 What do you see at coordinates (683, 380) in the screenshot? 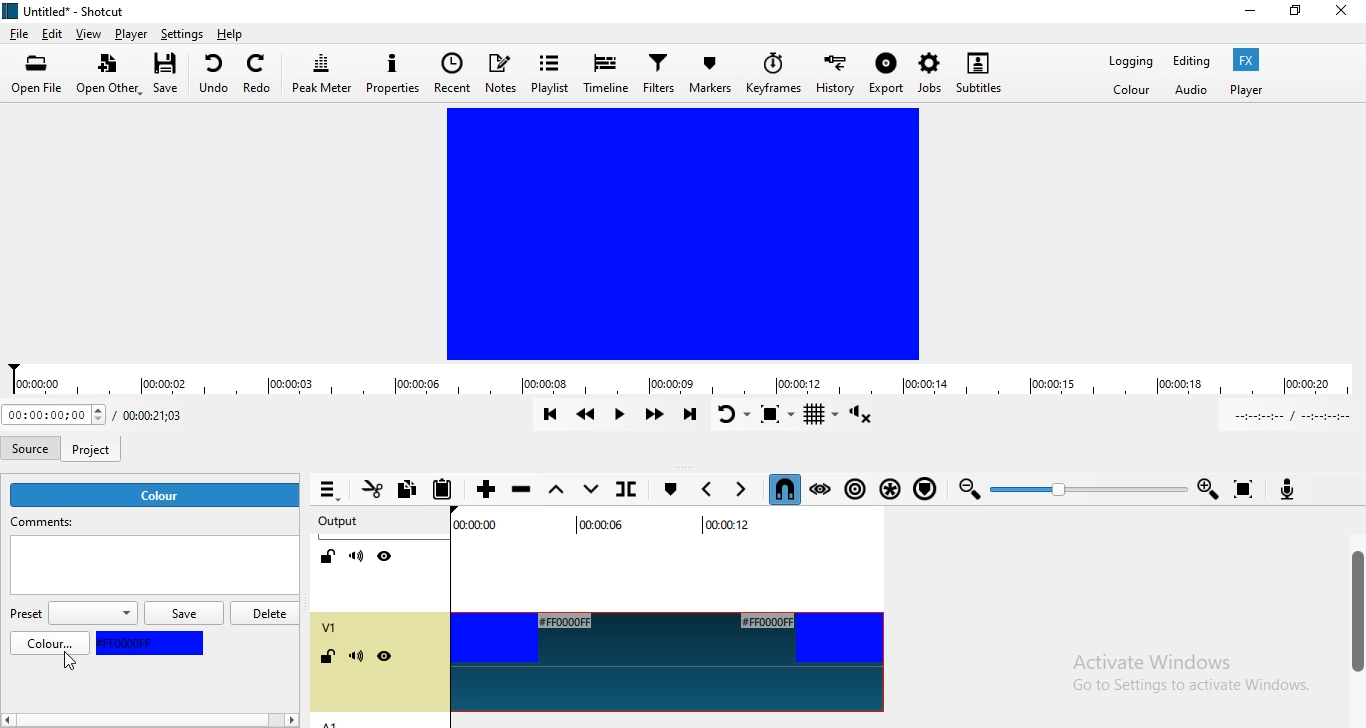
I see `timeline` at bounding box center [683, 380].